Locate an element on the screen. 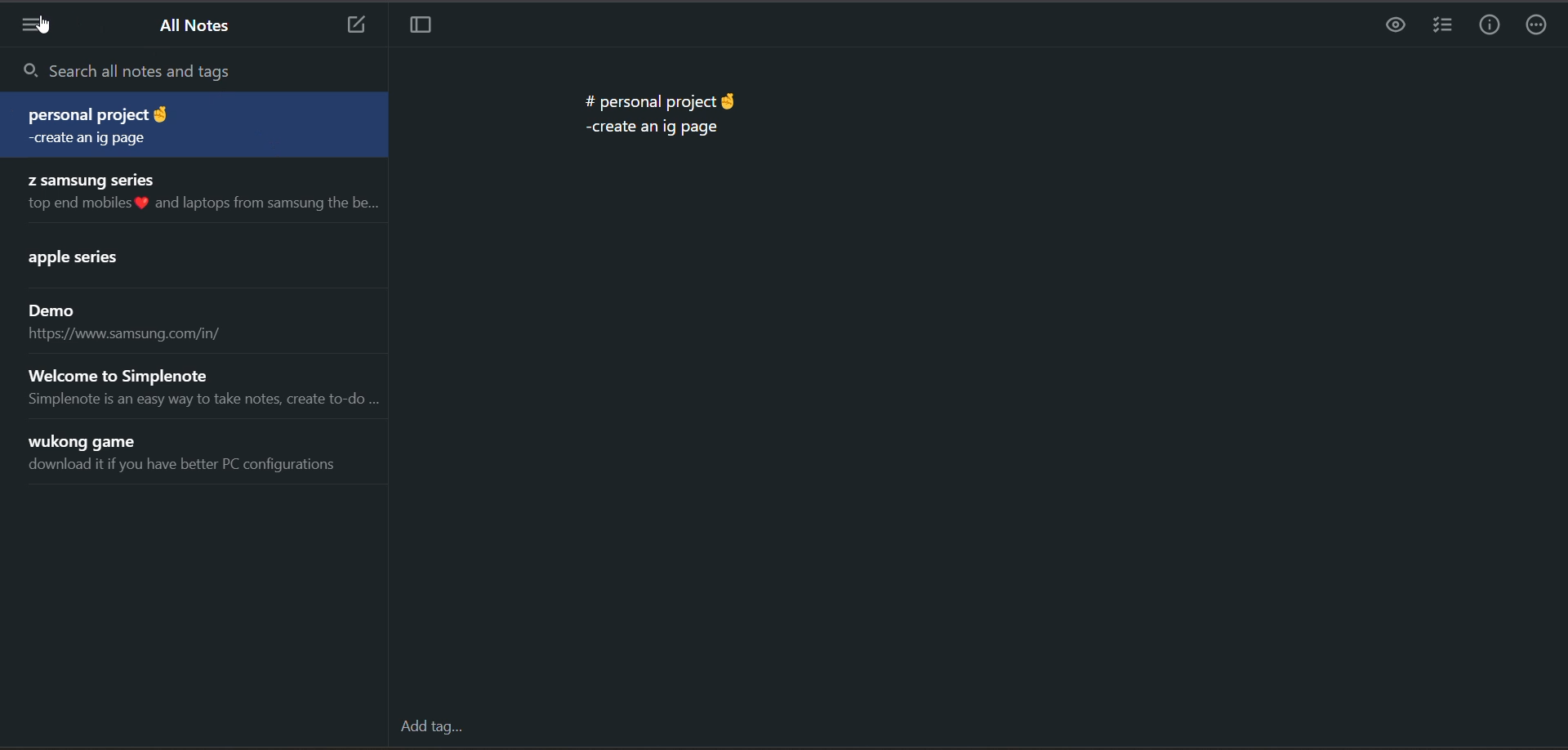  actions is located at coordinates (1537, 27).